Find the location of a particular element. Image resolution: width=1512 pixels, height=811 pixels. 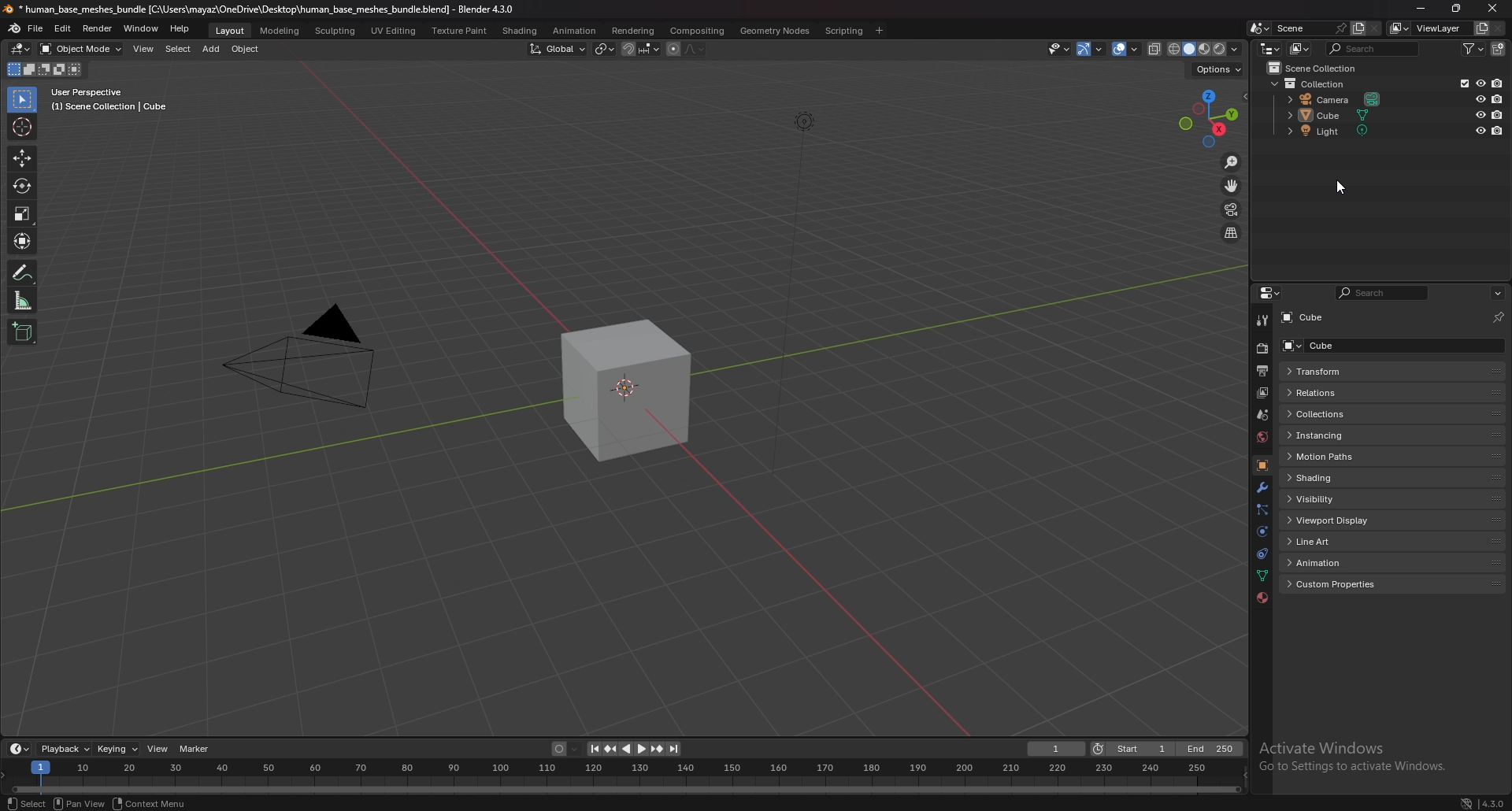

cursor is located at coordinates (1337, 184).